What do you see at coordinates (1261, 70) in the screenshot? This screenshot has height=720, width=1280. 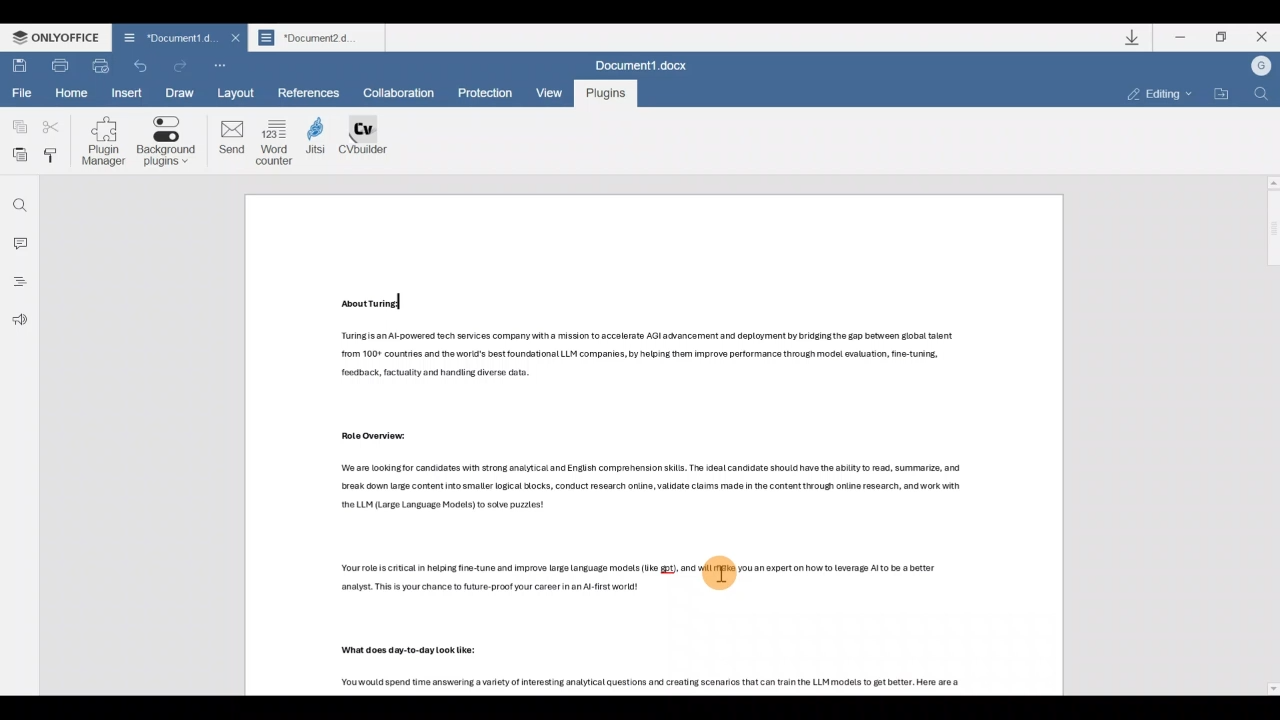 I see `Account name` at bounding box center [1261, 70].